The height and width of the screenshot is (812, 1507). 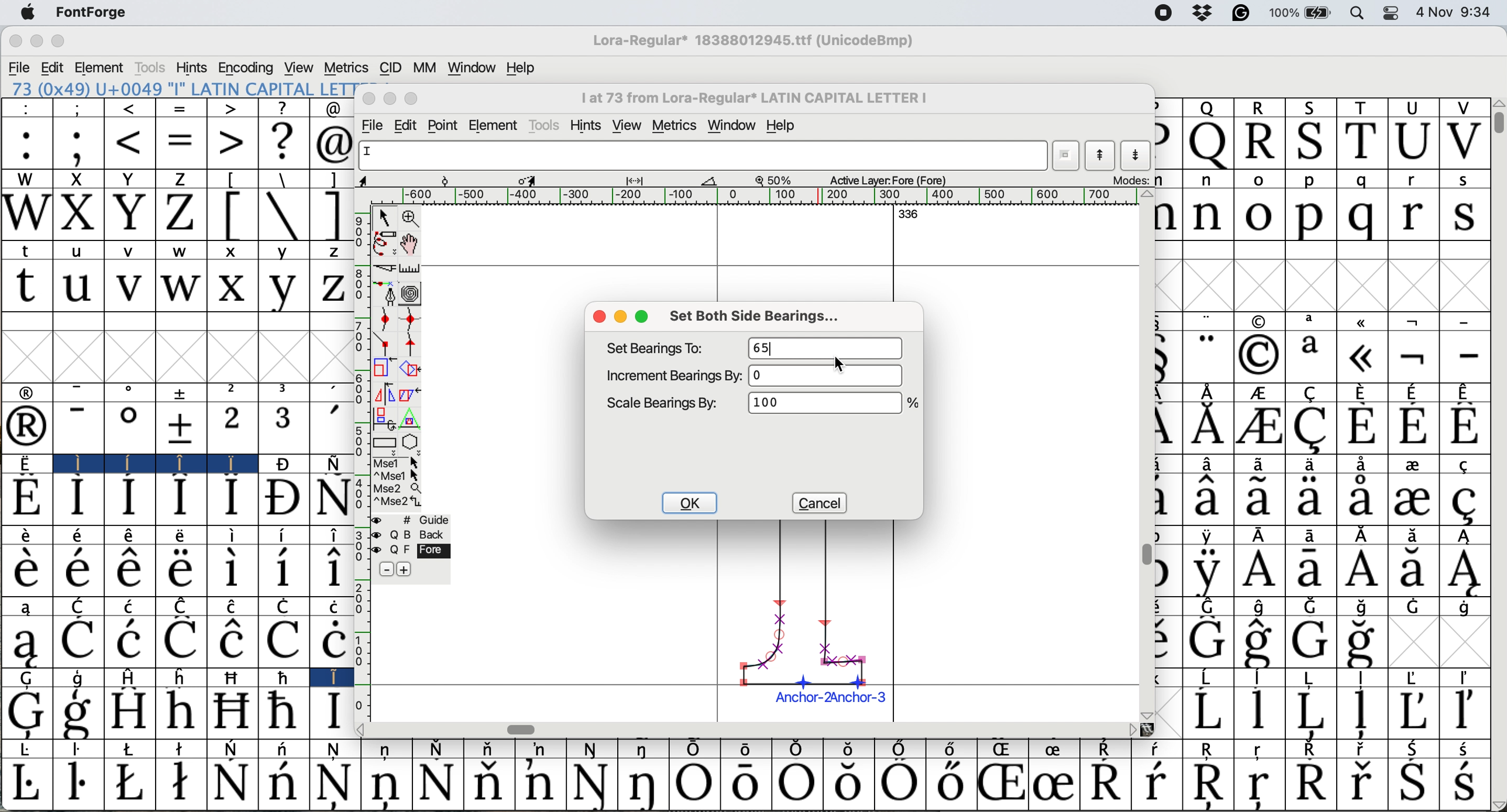 What do you see at coordinates (332, 498) in the screenshot?
I see `Symbol` at bounding box center [332, 498].